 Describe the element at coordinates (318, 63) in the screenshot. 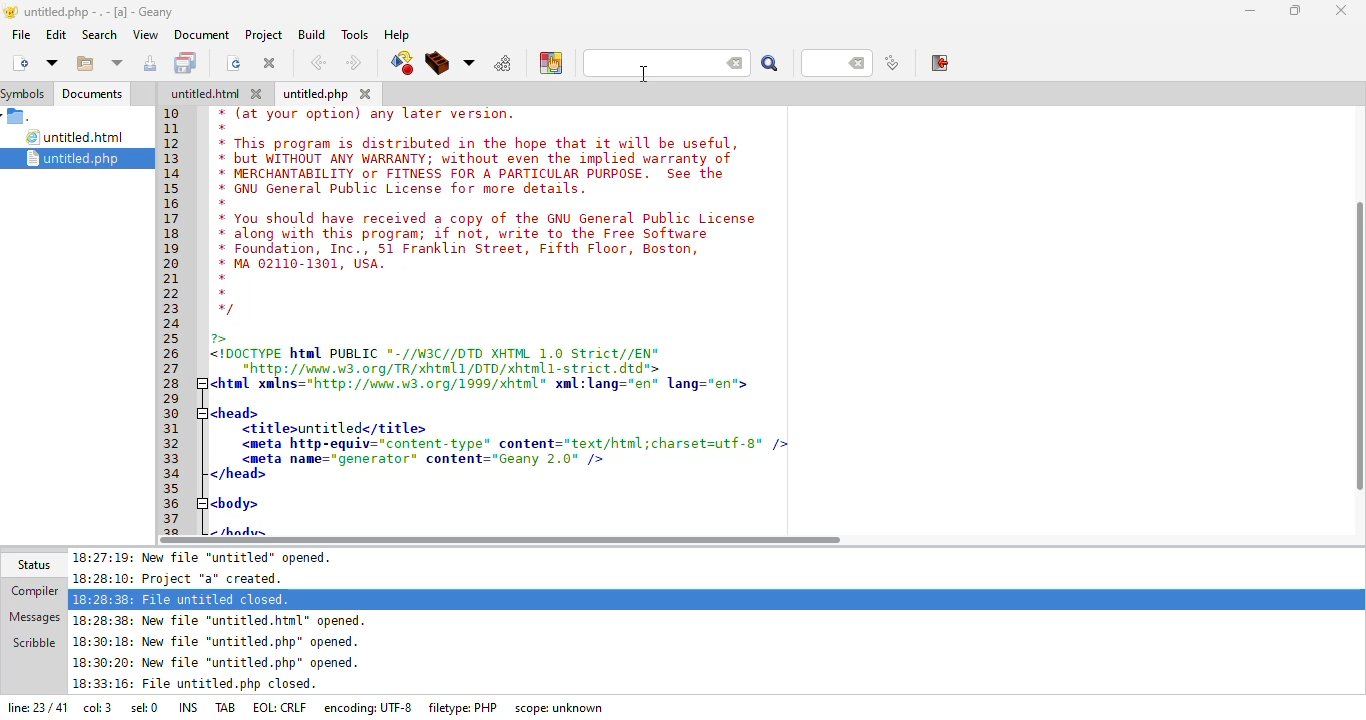

I see `back` at that location.